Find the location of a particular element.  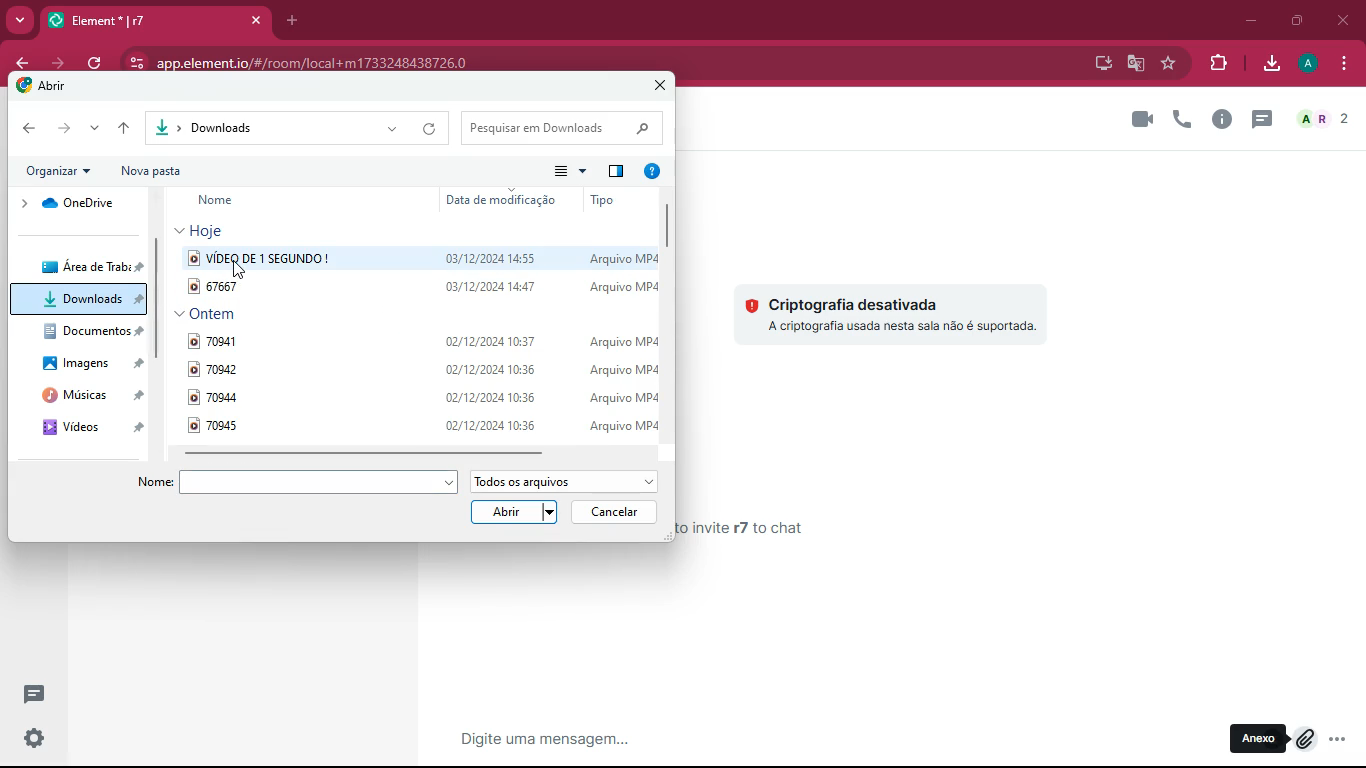

add tab is located at coordinates (291, 21).